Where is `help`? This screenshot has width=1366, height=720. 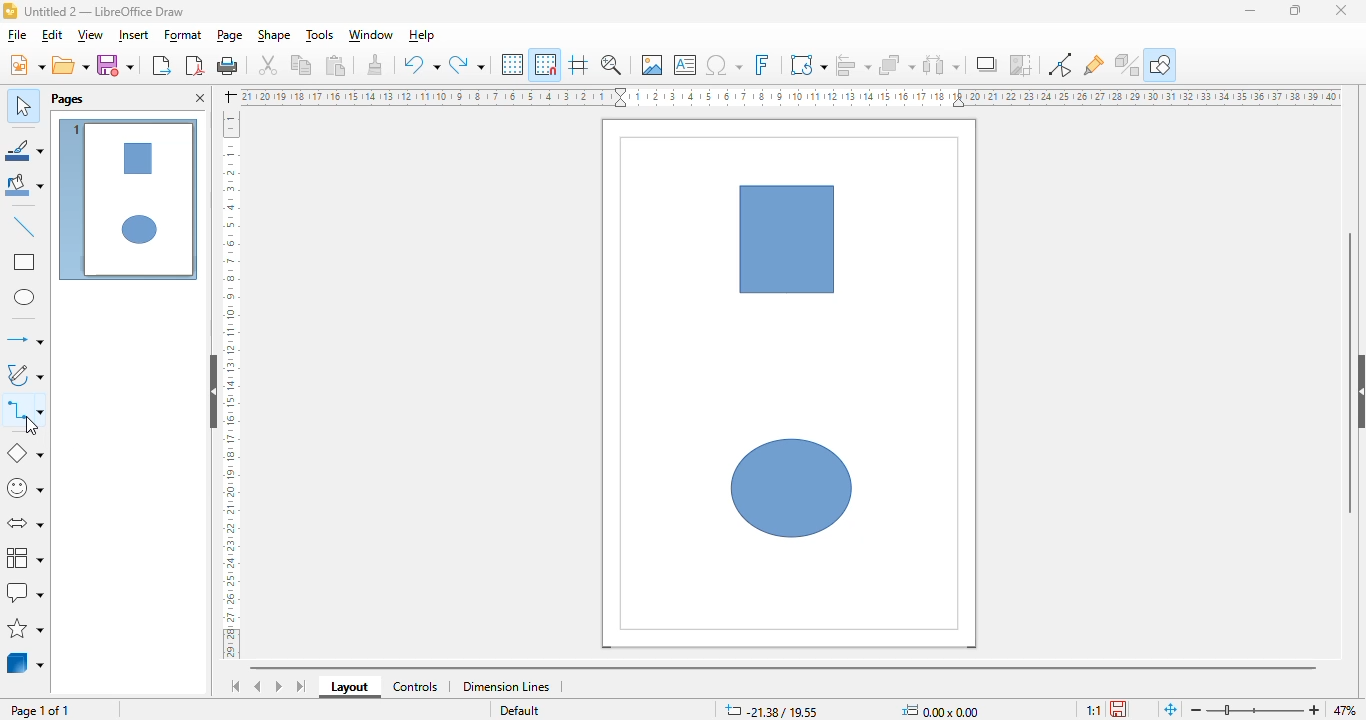
help is located at coordinates (421, 35).